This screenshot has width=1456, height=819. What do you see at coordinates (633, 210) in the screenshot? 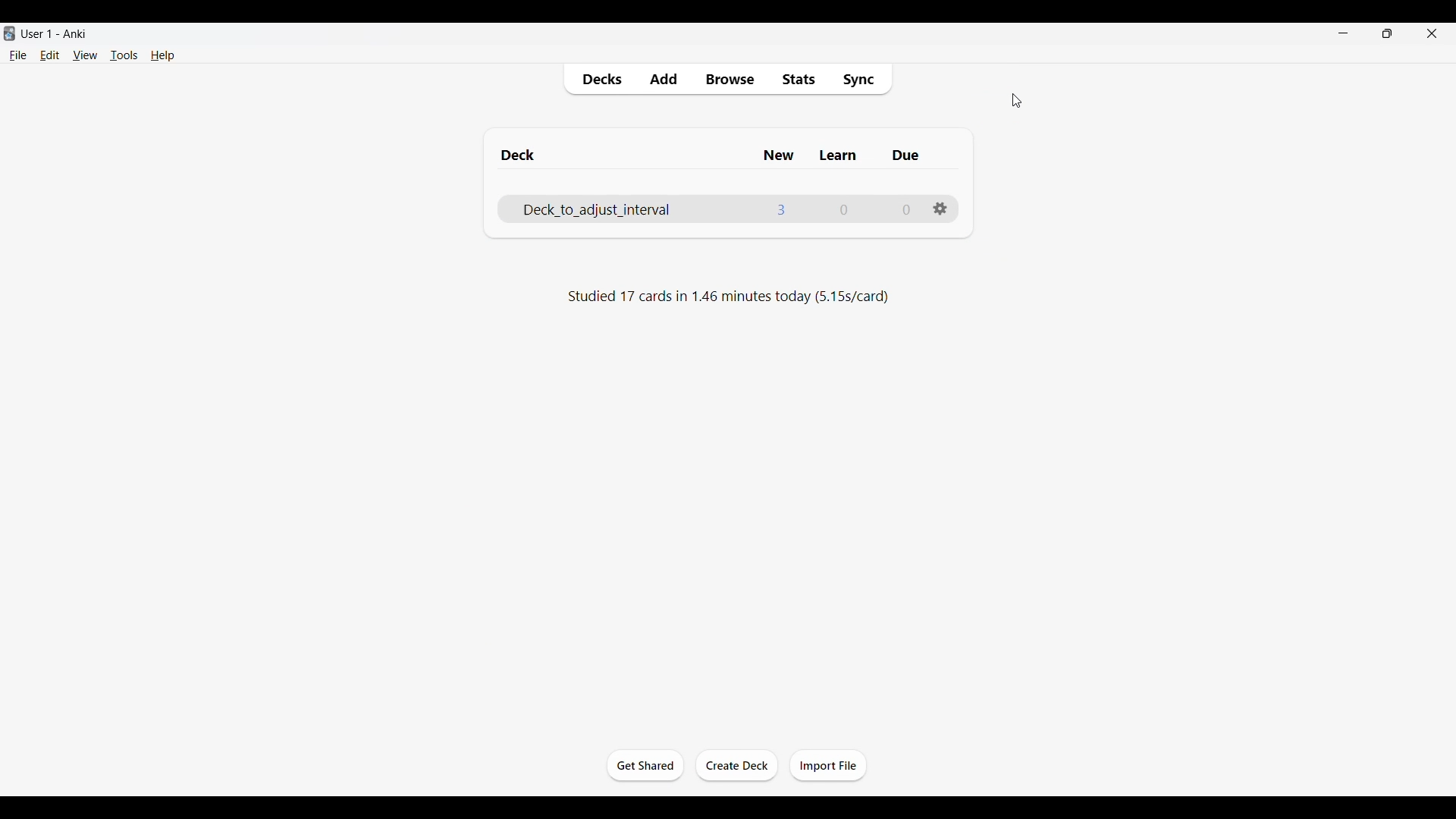
I see `Deck name` at bounding box center [633, 210].